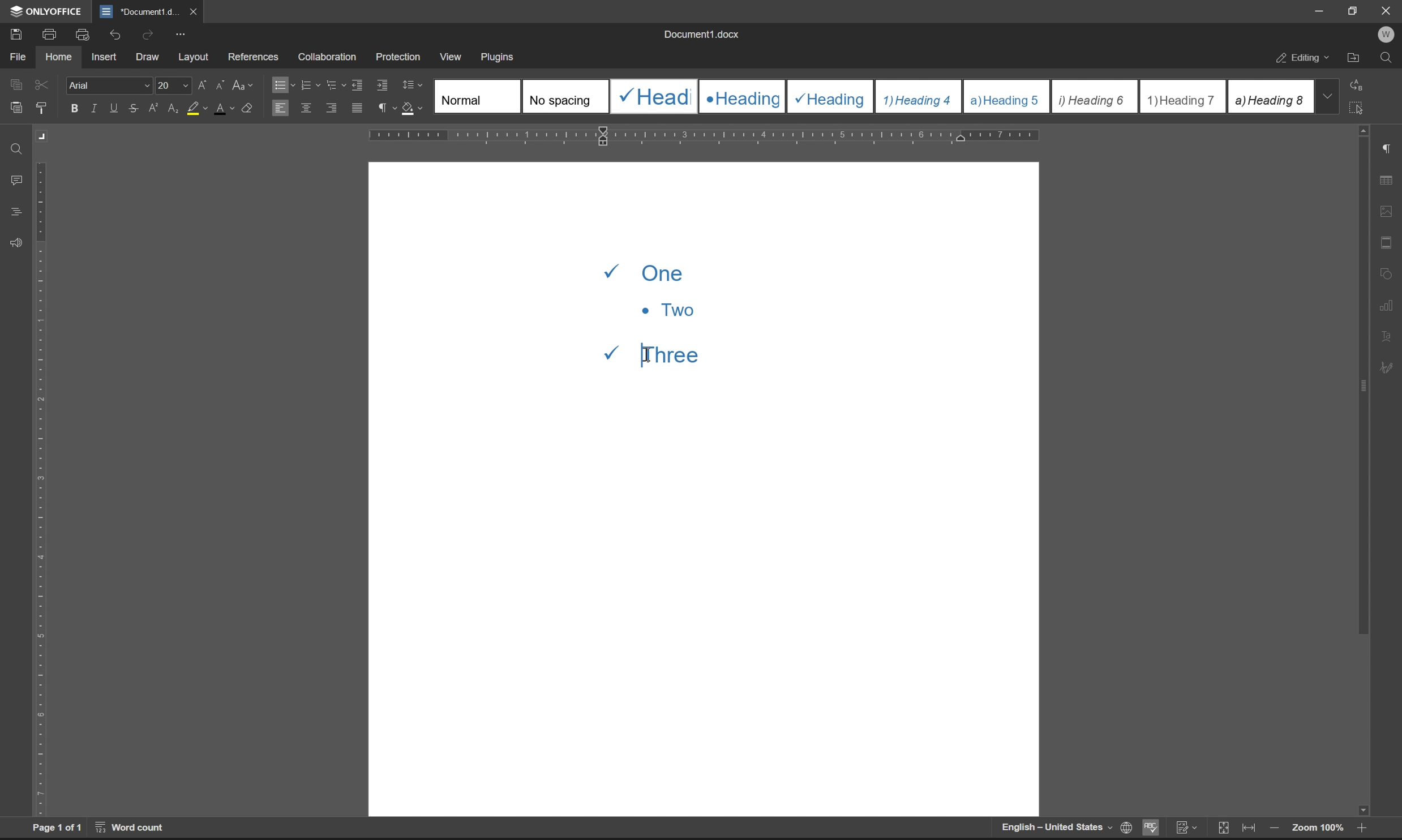 The image size is (1402, 840). What do you see at coordinates (1274, 829) in the screenshot?
I see `zoom out` at bounding box center [1274, 829].